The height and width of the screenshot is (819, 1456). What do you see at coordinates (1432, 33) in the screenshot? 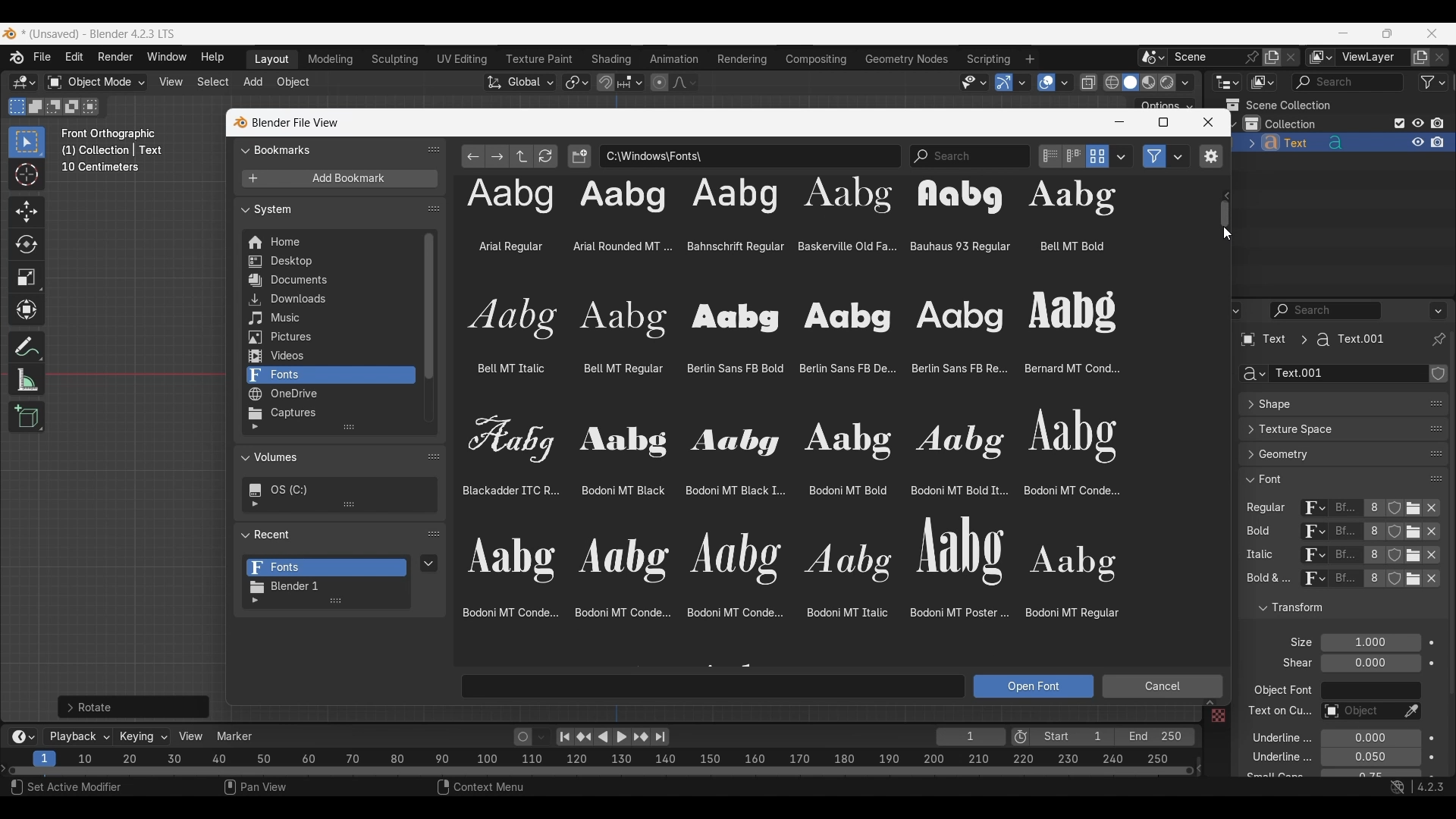
I see `Close interface` at bounding box center [1432, 33].